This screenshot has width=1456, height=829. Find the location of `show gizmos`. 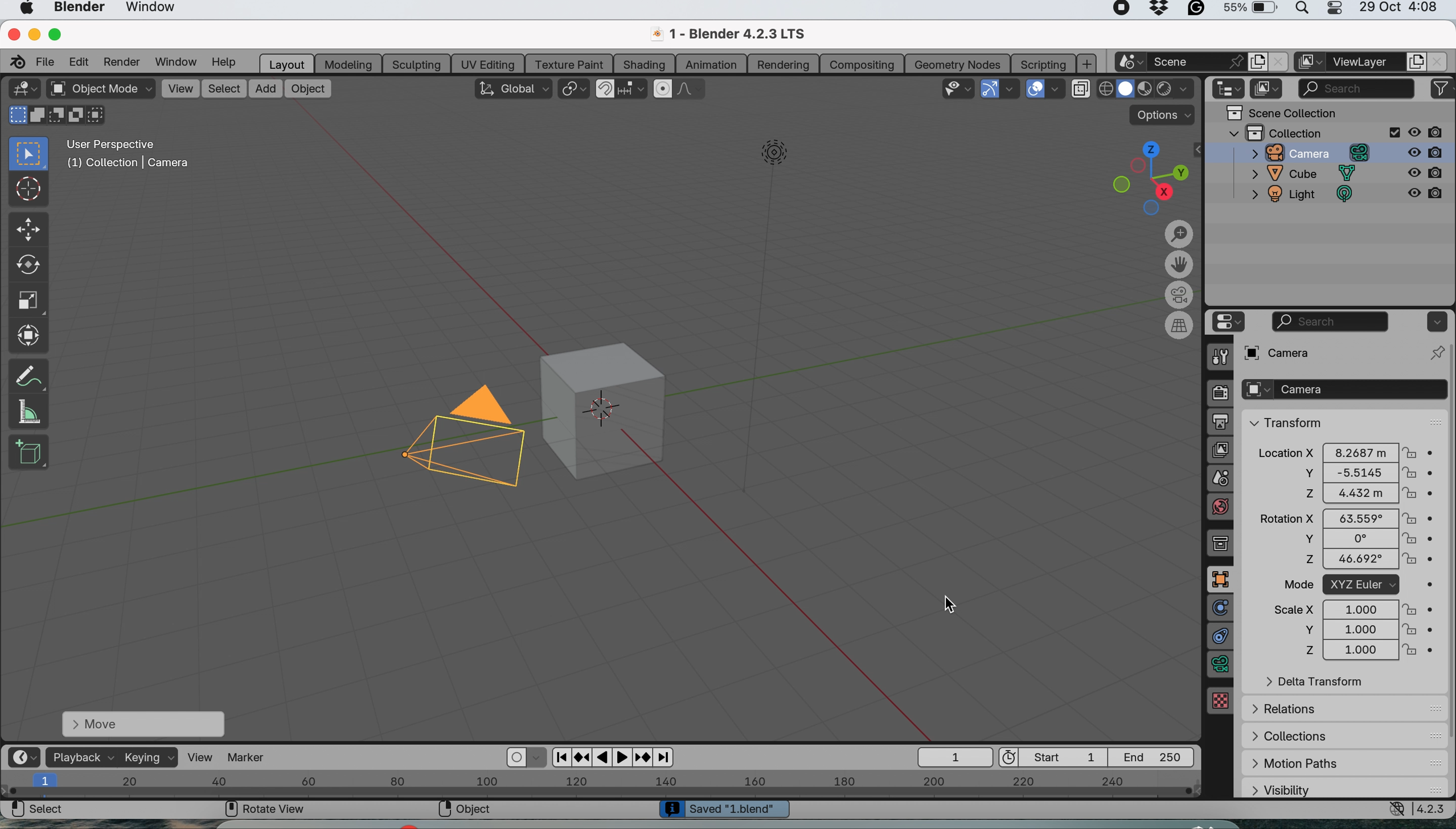

show gizmos is located at coordinates (989, 89).